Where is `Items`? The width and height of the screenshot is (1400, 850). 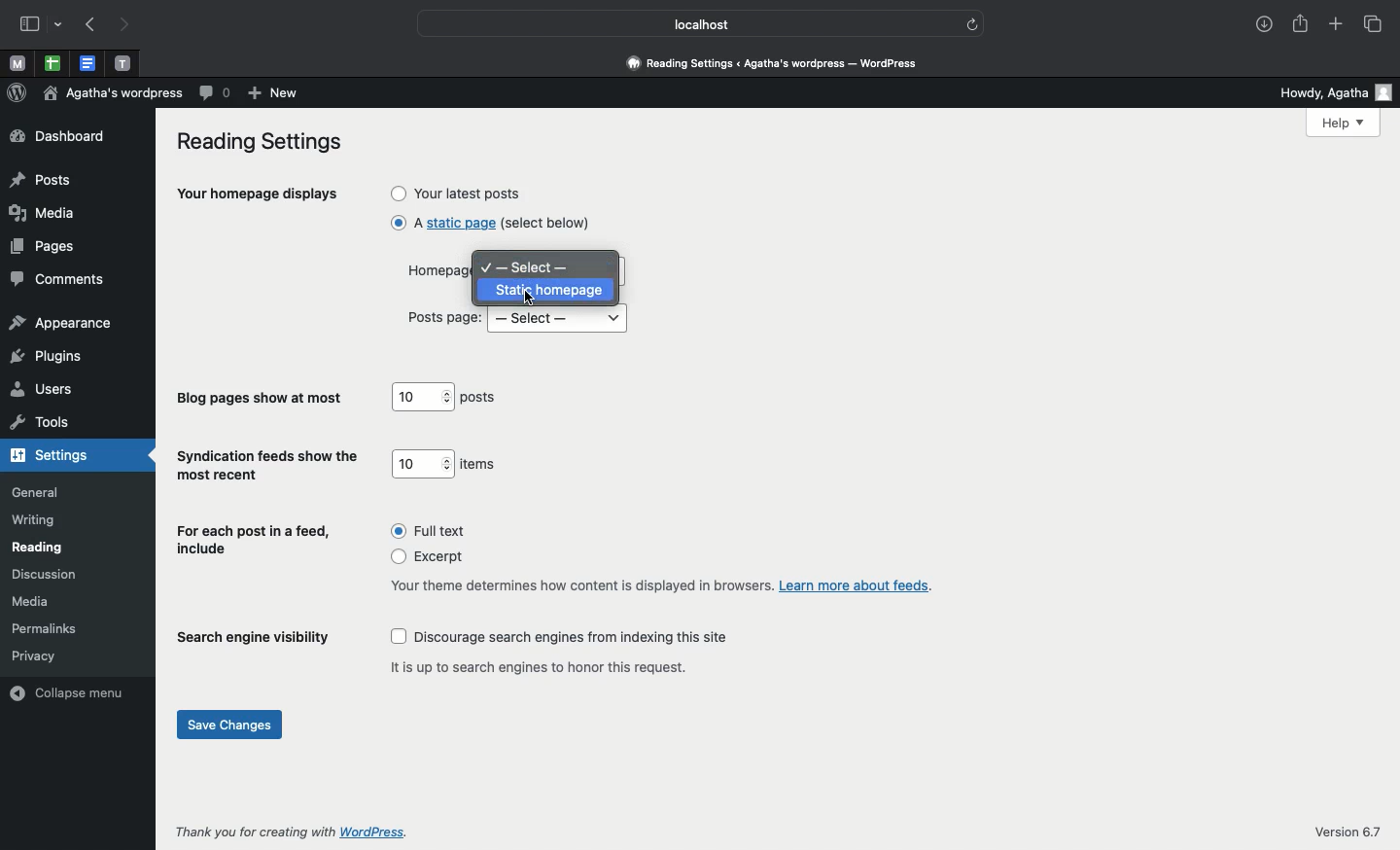 Items is located at coordinates (480, 465).